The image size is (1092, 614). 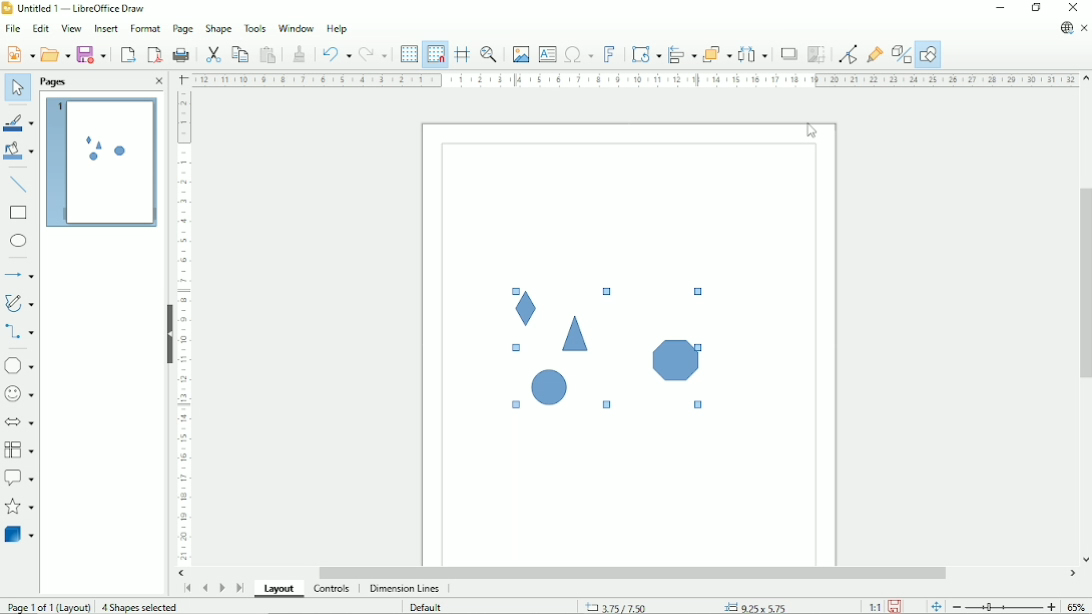 What do you see at coordinates (21, 123) in the screenshot?
I see `Line color` at bounding box center [21, 123].